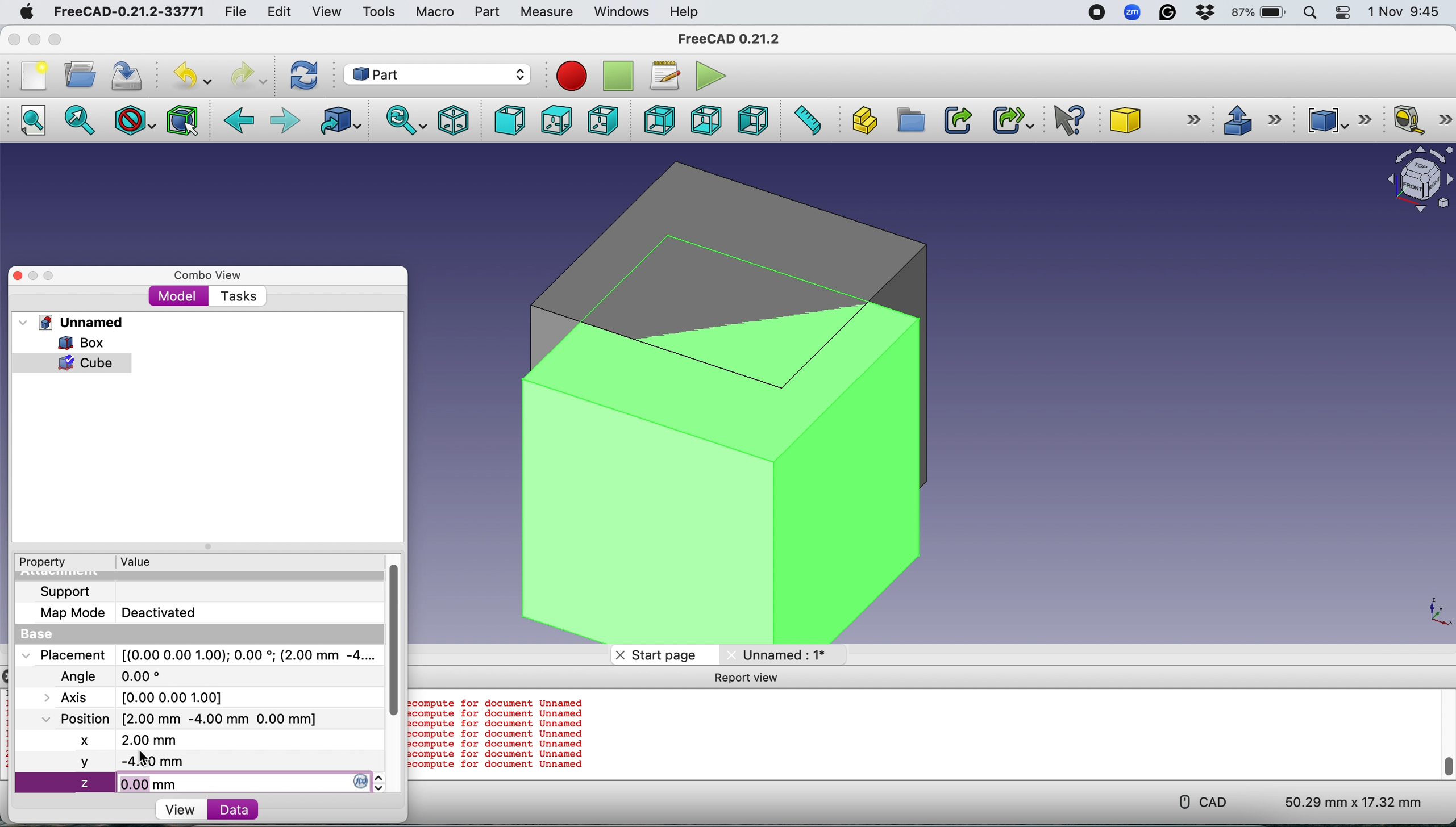 This screenshot has height=827, width=1456. I want to click on Tools, so click(378, 11).